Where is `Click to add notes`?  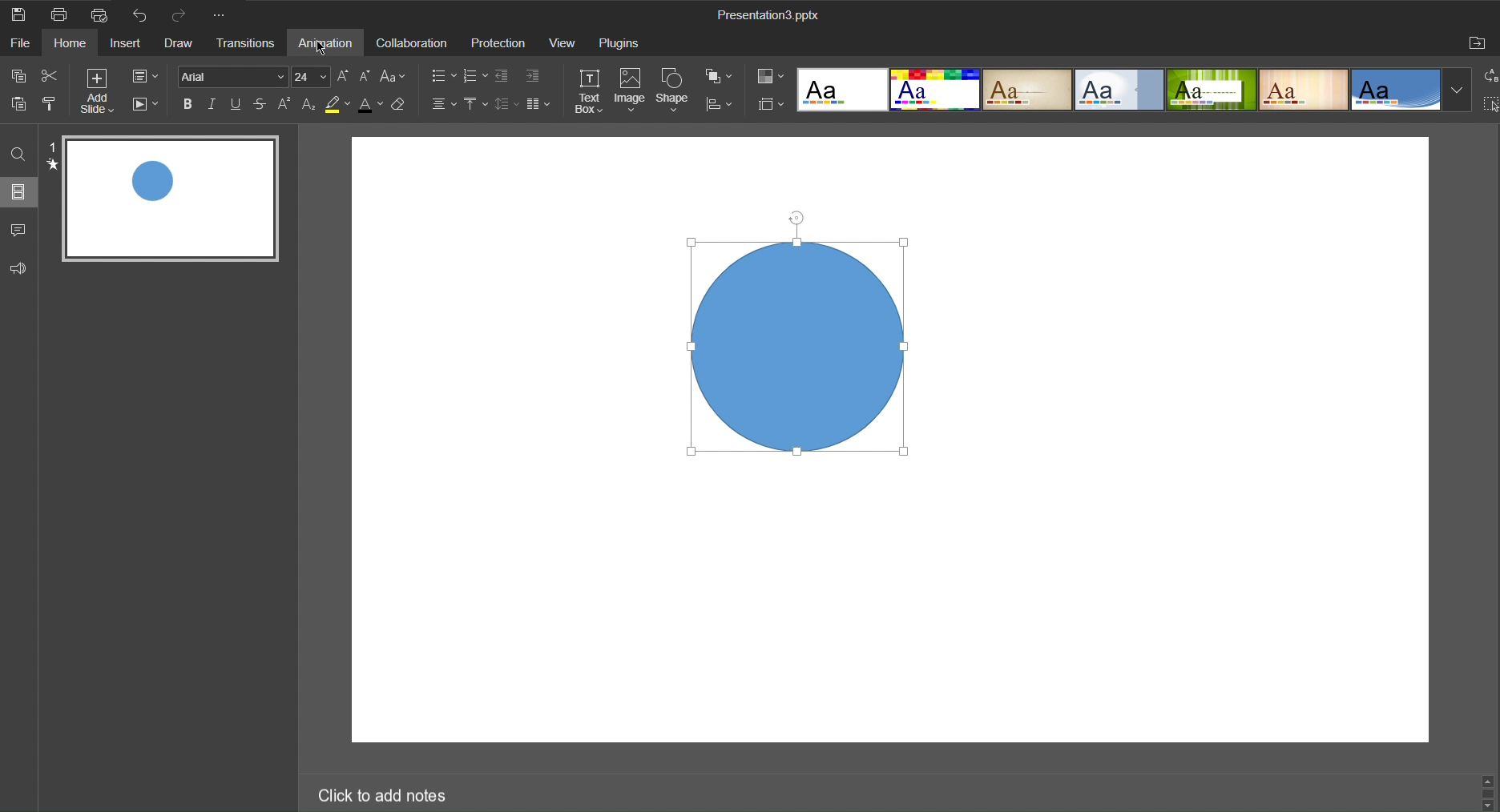 Click to add notes is located at coordinates (381, 792).